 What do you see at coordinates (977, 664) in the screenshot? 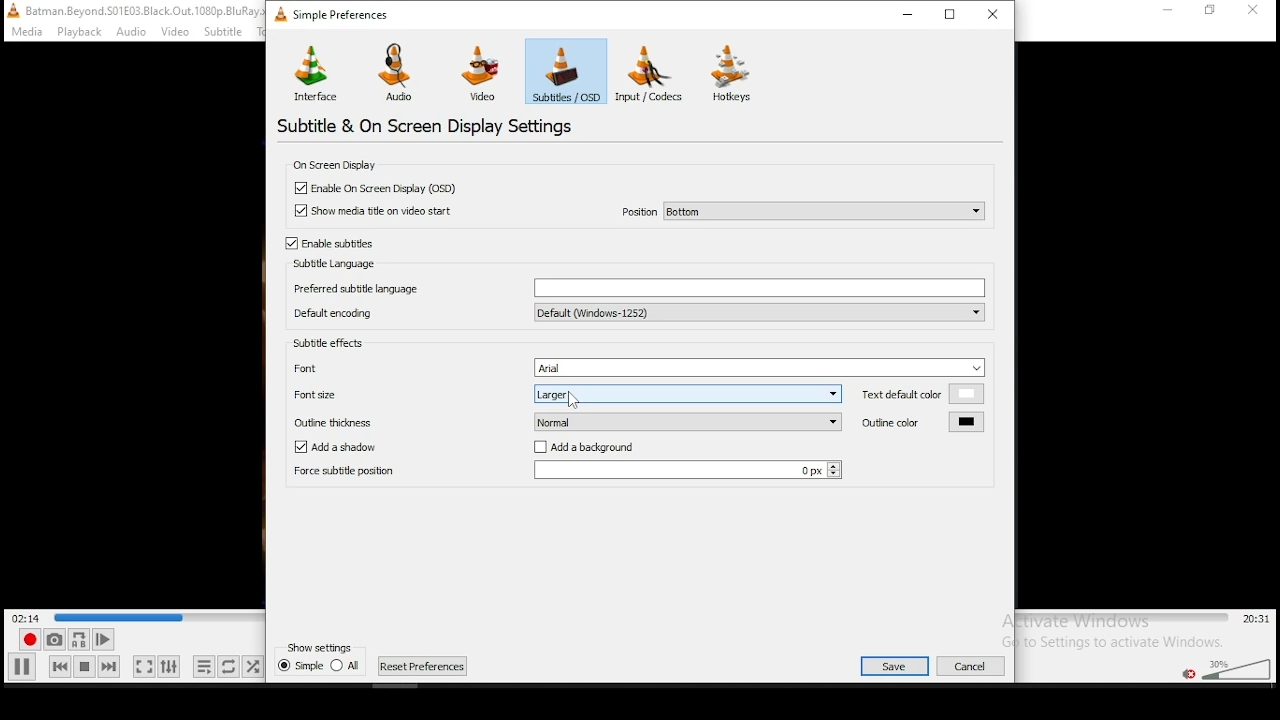
I see `` at bounding box center [977, 664].